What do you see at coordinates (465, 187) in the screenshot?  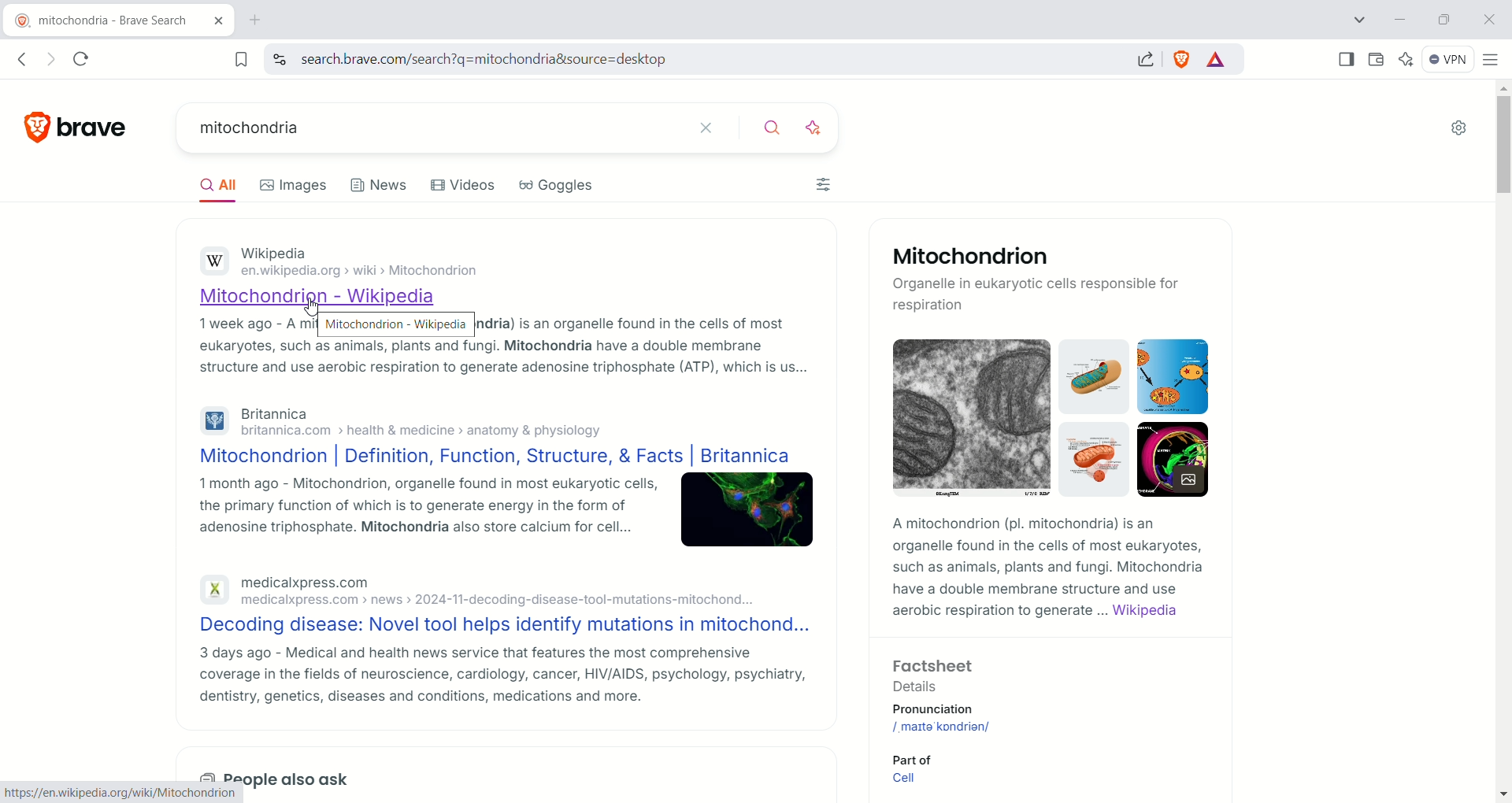 I see `videos` at bounding box center [465, 187].